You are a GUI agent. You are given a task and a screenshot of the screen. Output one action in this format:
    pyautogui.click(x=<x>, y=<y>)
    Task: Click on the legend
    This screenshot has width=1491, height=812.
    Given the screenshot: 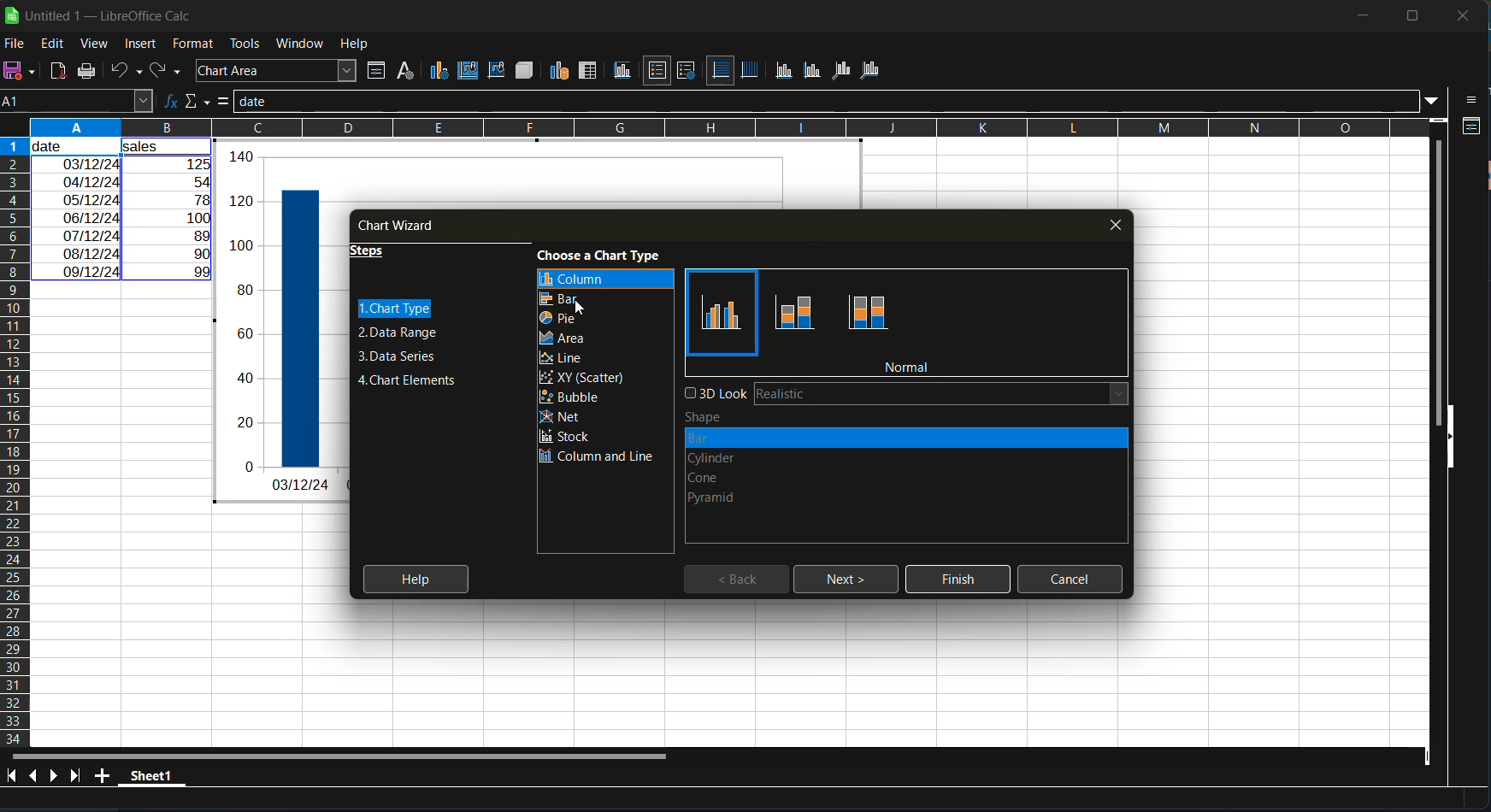 What is the action you would take?
    pyautogui.click(x=684, y=69)
    